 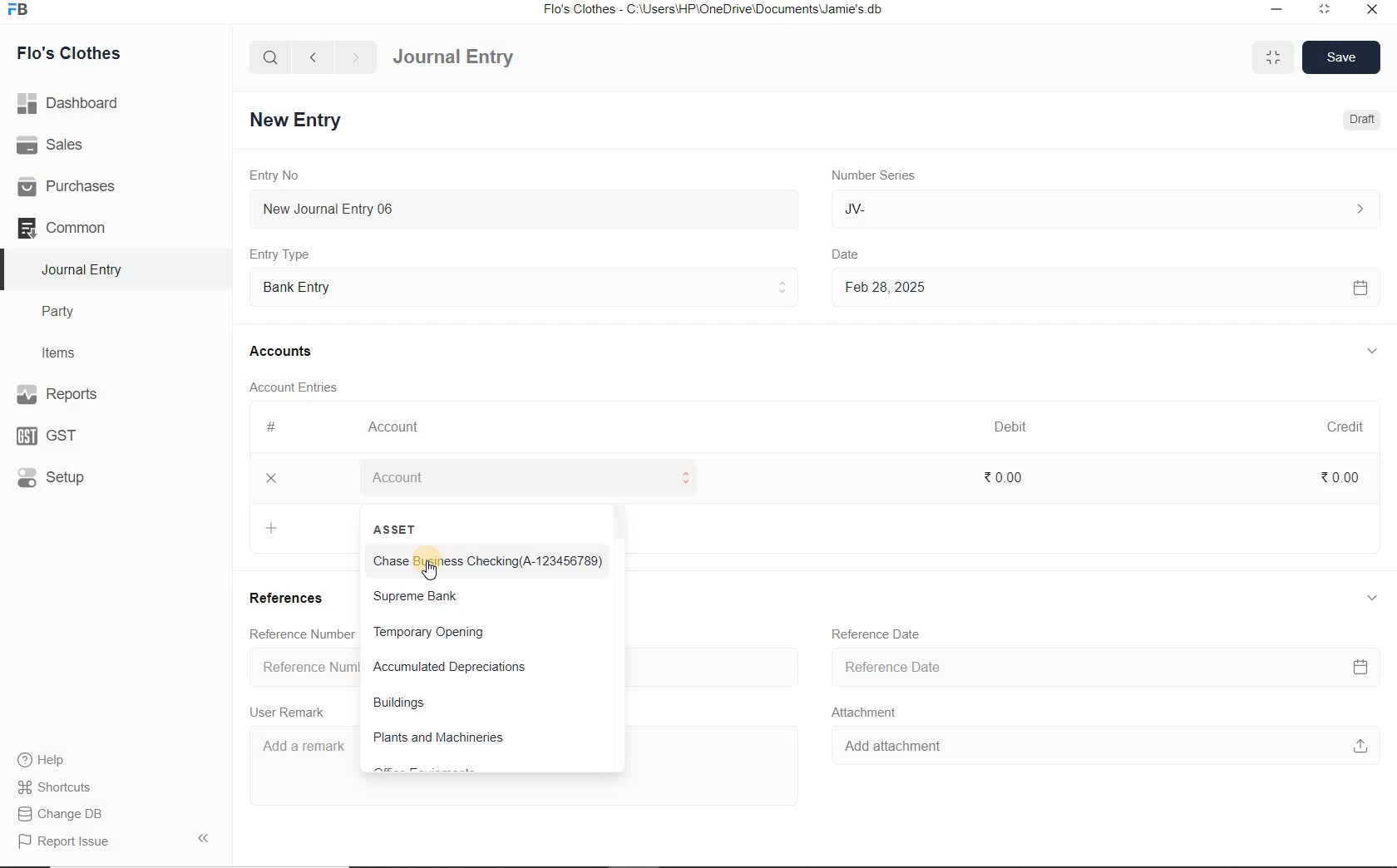 I want to click on Shortcuts, so click(x=55, y=784).